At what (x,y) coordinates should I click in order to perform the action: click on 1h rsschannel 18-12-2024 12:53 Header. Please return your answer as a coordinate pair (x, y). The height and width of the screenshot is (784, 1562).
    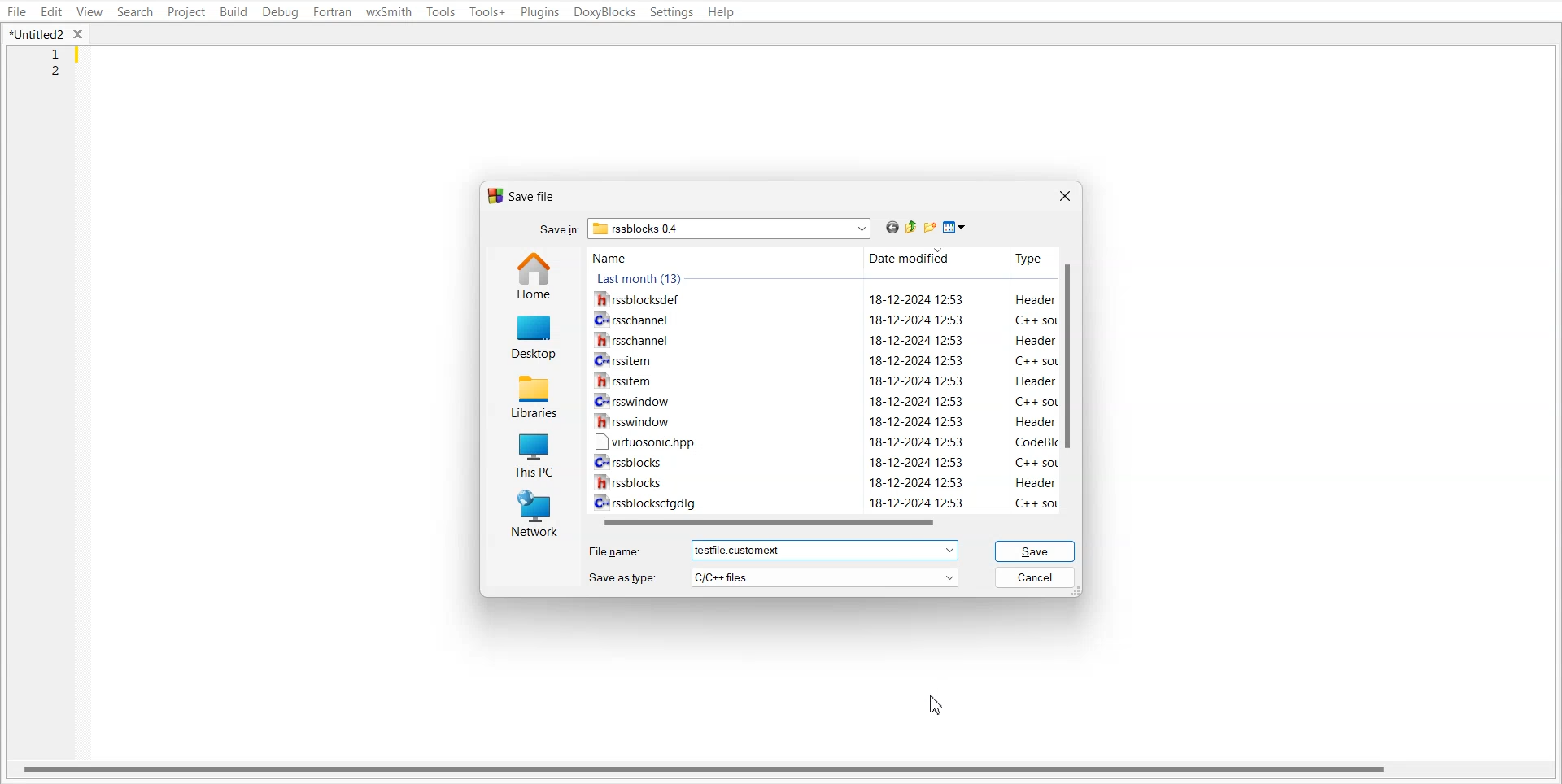
    Looking at the image, I should click on (823, 341).